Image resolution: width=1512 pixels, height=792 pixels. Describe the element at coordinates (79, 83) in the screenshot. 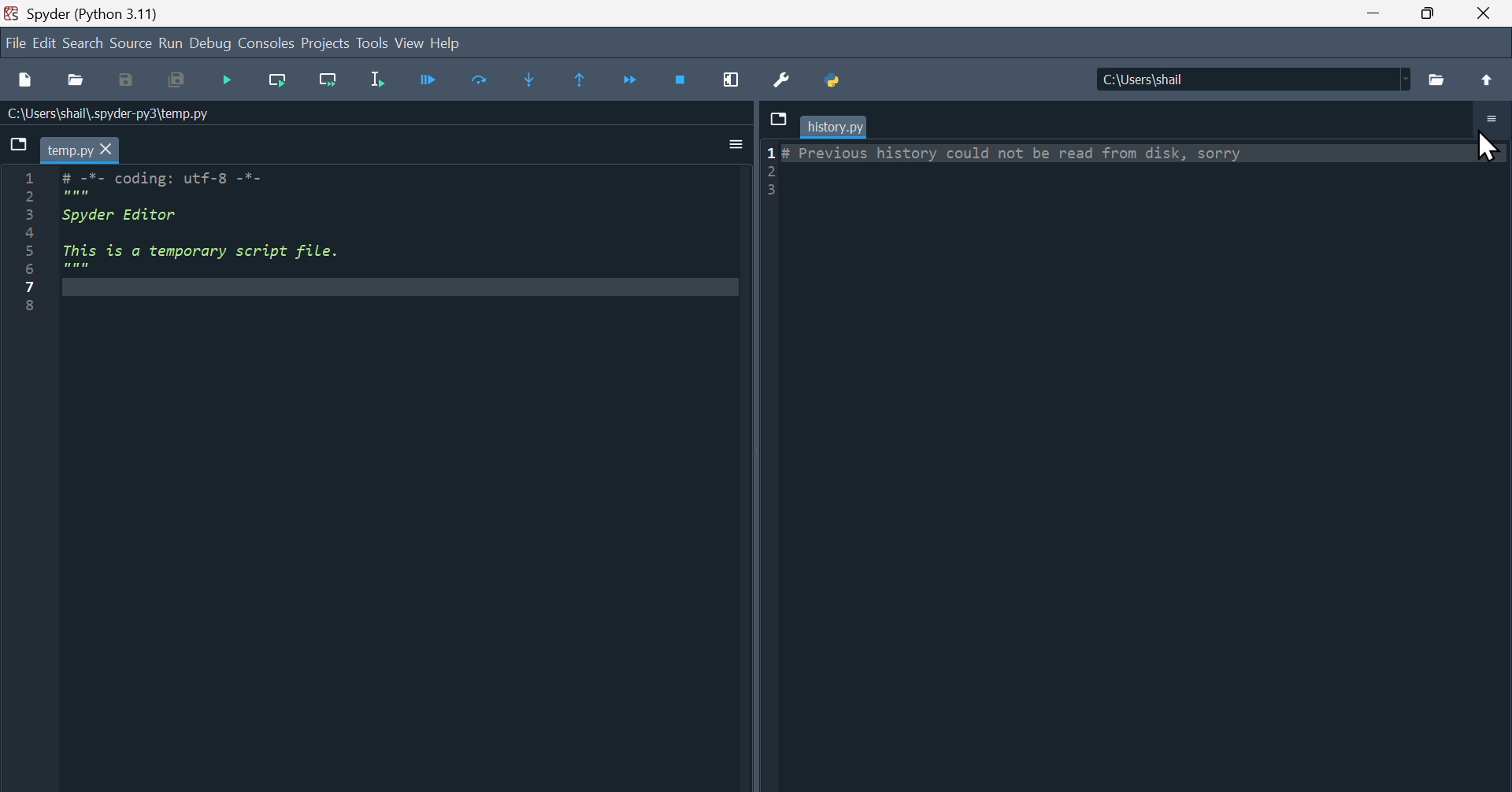

I see `open file` at that location.